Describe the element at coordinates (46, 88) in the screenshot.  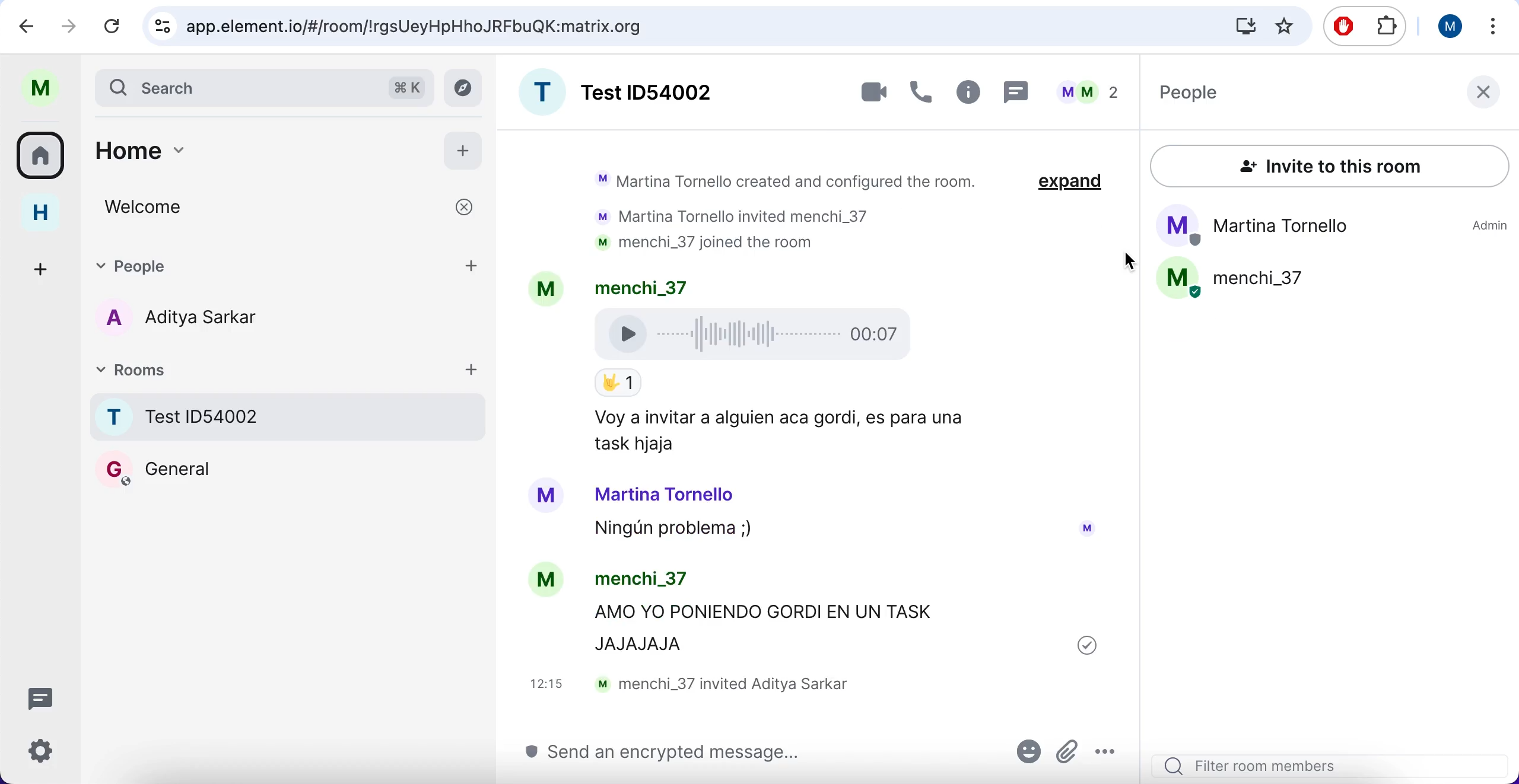
I see `user` at that location.